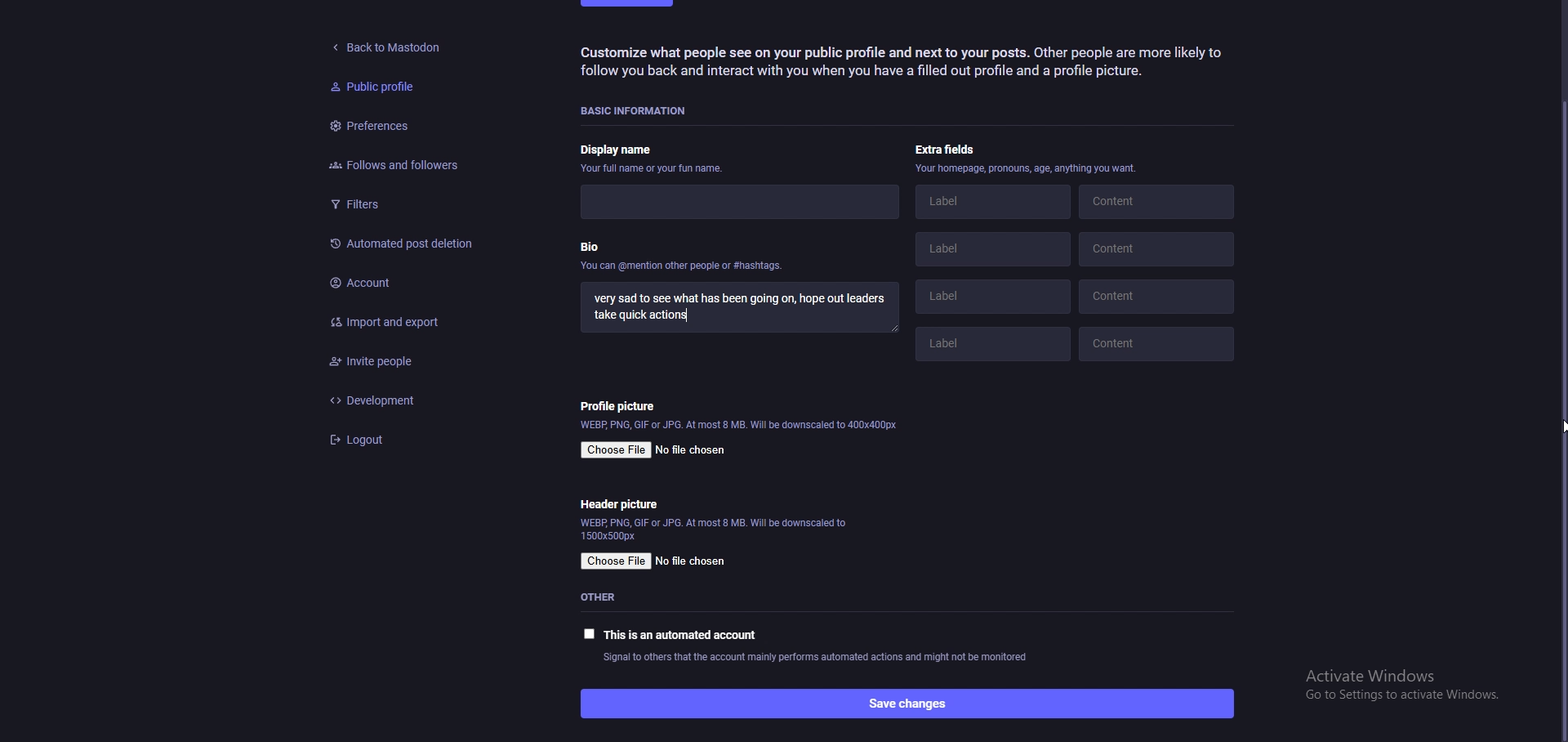 The width and height of the screenshot is (1568, 742). What do you see at coordinates (1394, 687) in the screenshot?
I see `Windows activation prompt` at bounding box center [1394, 687].